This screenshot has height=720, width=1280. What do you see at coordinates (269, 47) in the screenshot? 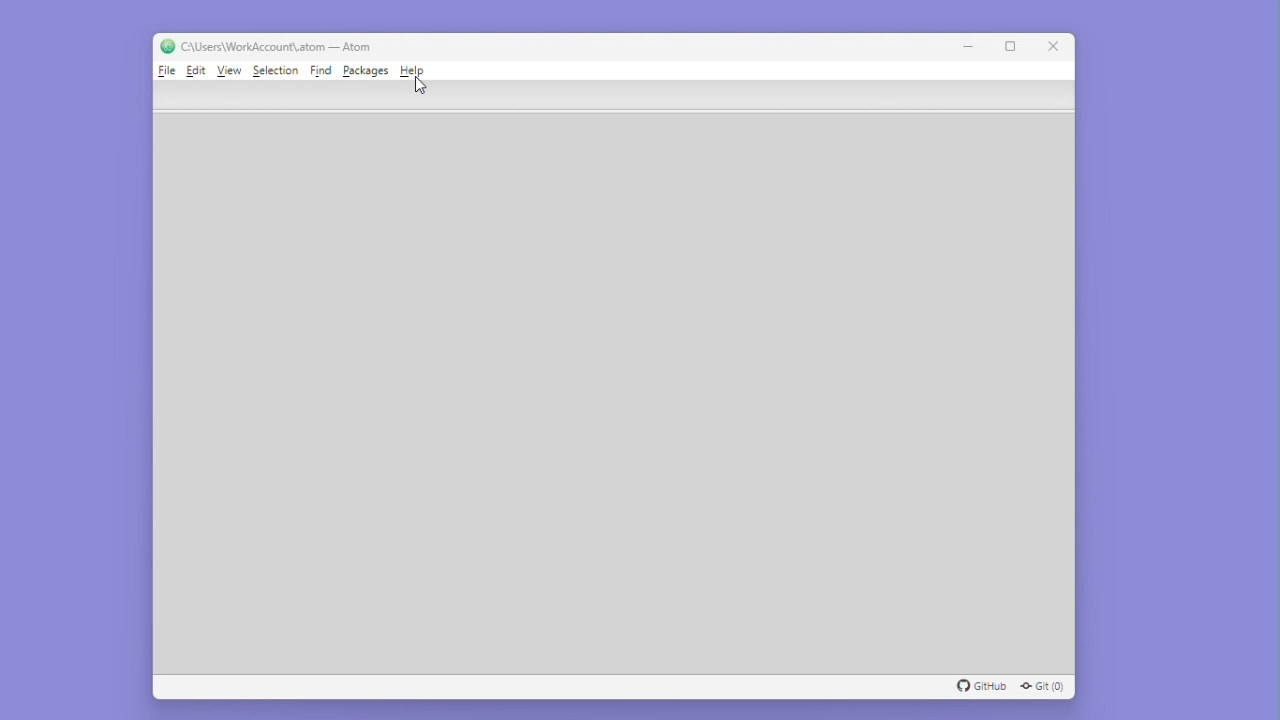
I see `C:\Users\WorkAccount\.atom — Atom` at bounding box center [269, 47].